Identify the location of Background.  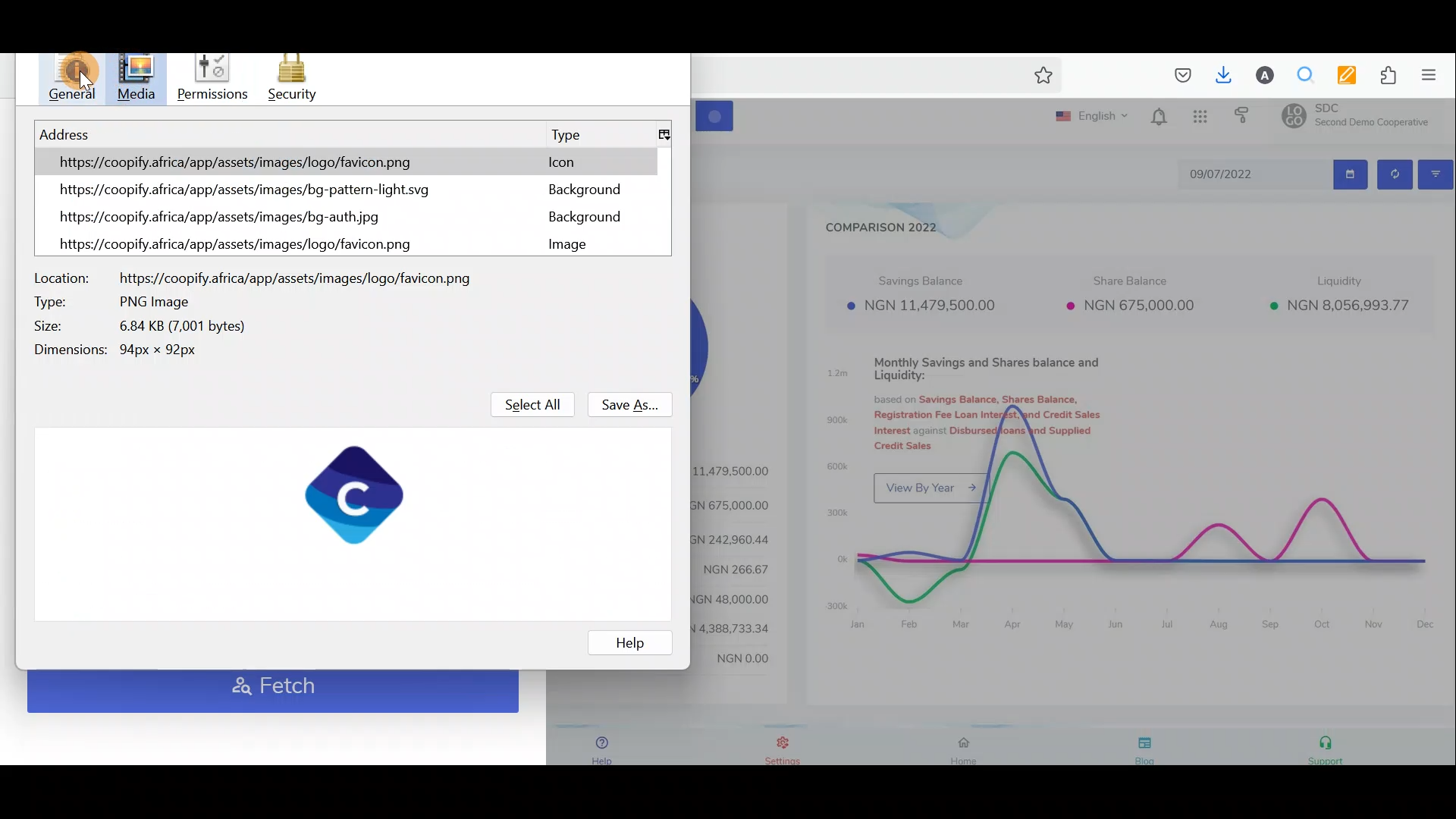
(588, 191).